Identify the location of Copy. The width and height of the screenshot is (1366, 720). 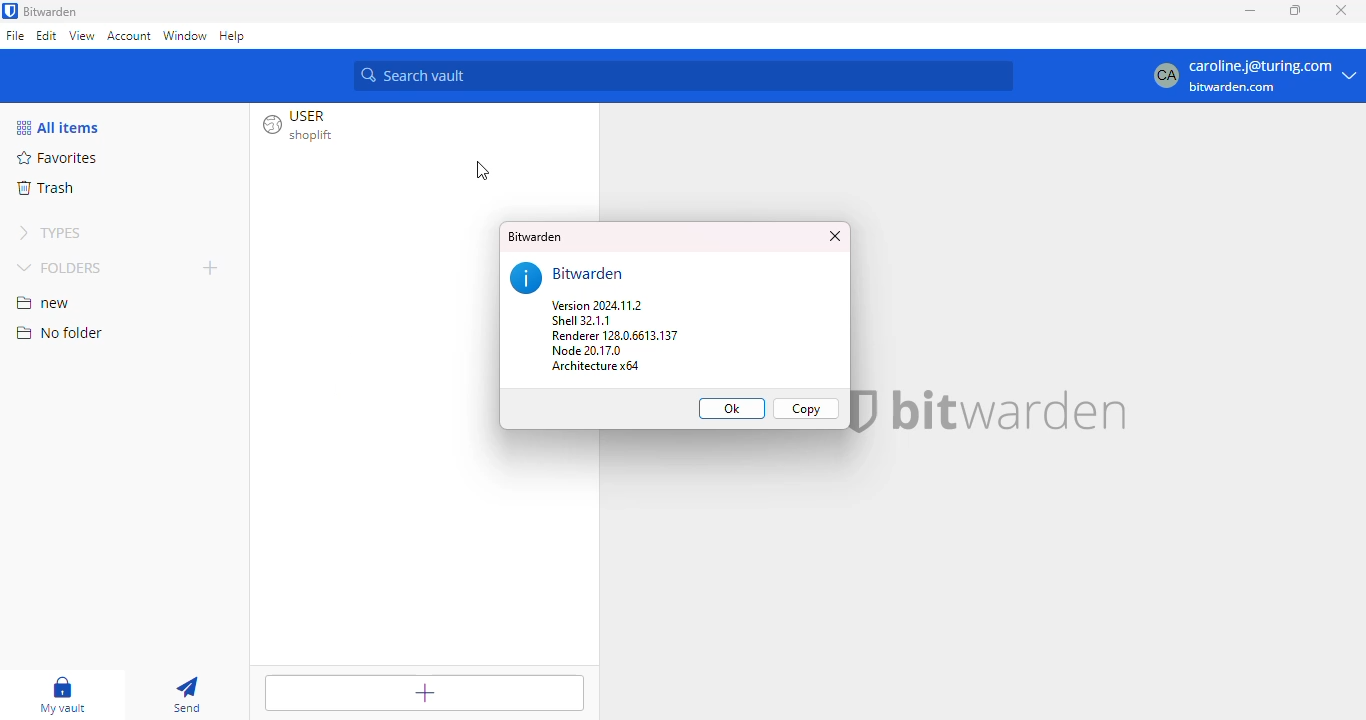
(807, 409).